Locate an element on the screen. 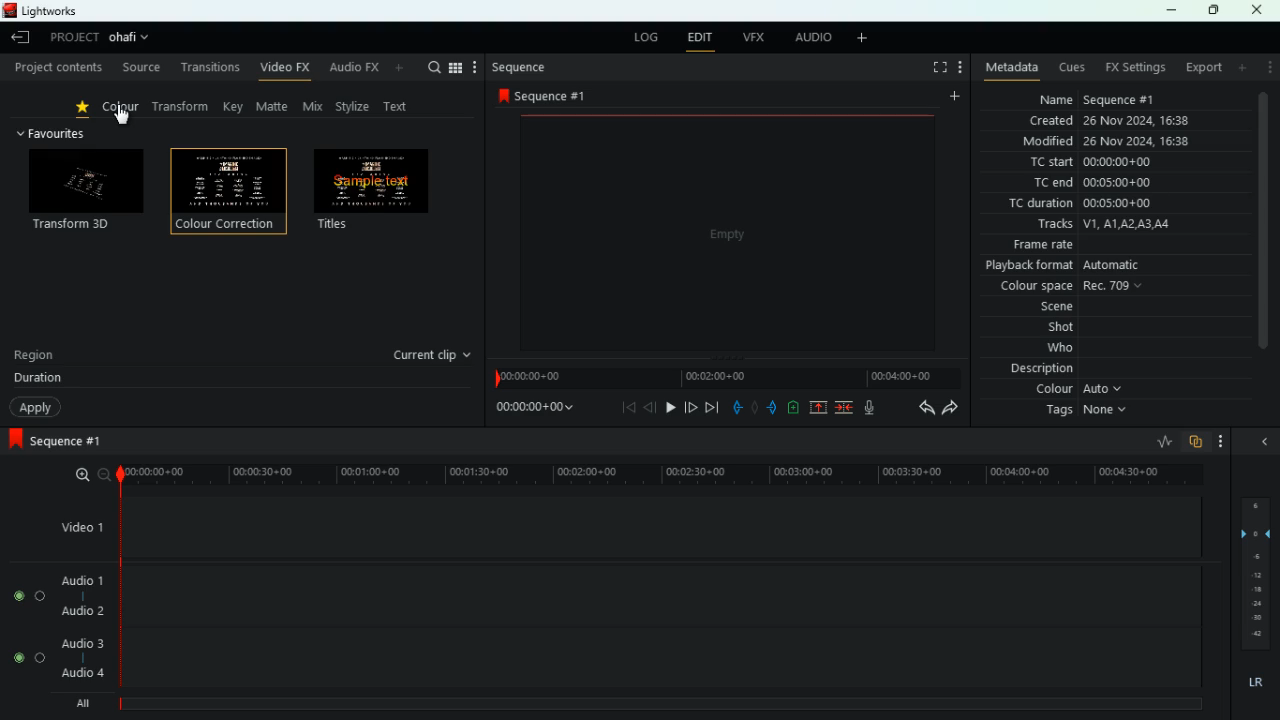 The height and width of the screenshot is (720, 1280). mix is located at coordinates (315, 107).